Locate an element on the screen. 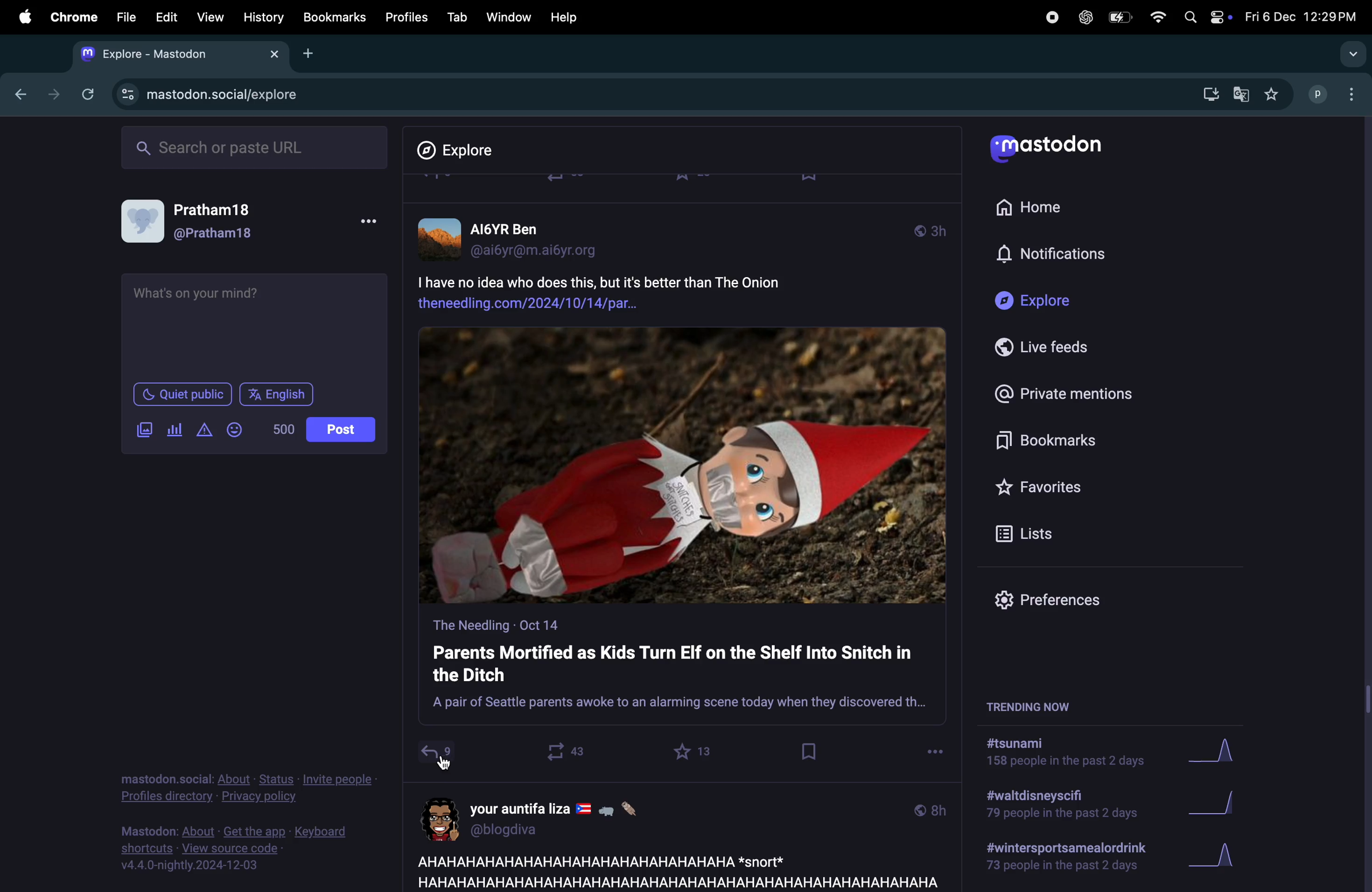  time is located at coordinates (930, 809).